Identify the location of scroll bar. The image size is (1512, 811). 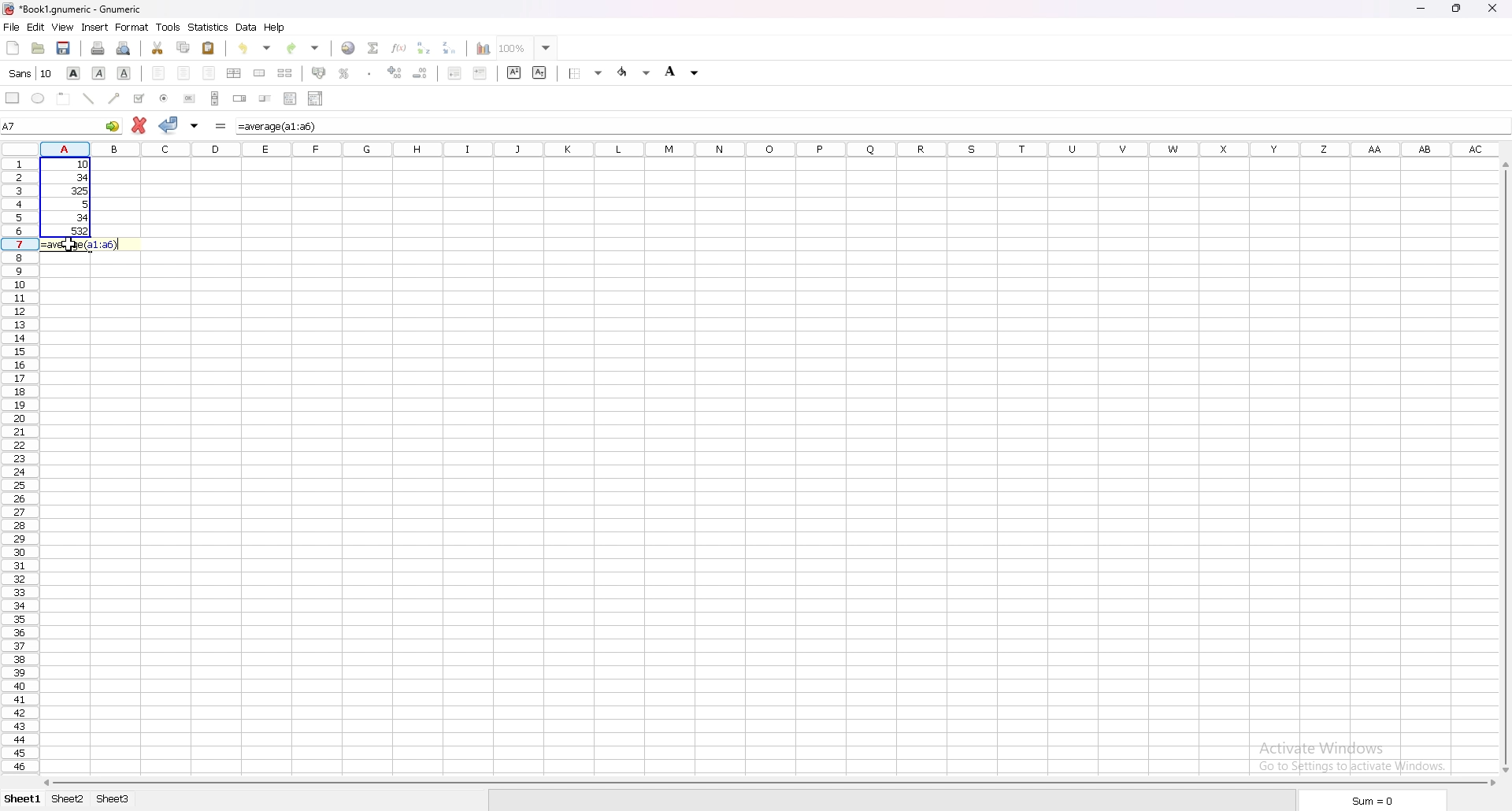
(215, 98).